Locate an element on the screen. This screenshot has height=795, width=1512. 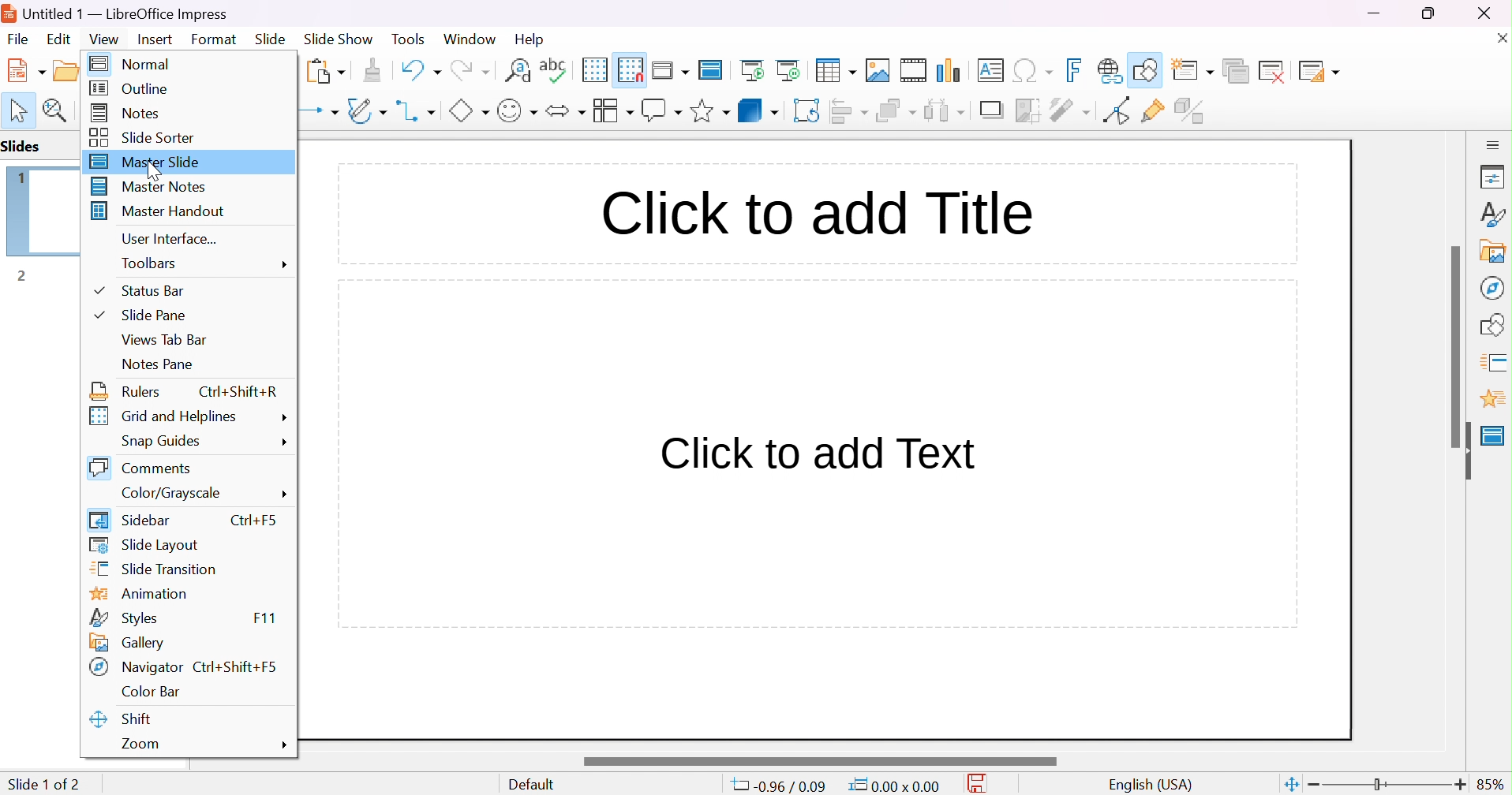
hide is located at coordinates (1463, 451).